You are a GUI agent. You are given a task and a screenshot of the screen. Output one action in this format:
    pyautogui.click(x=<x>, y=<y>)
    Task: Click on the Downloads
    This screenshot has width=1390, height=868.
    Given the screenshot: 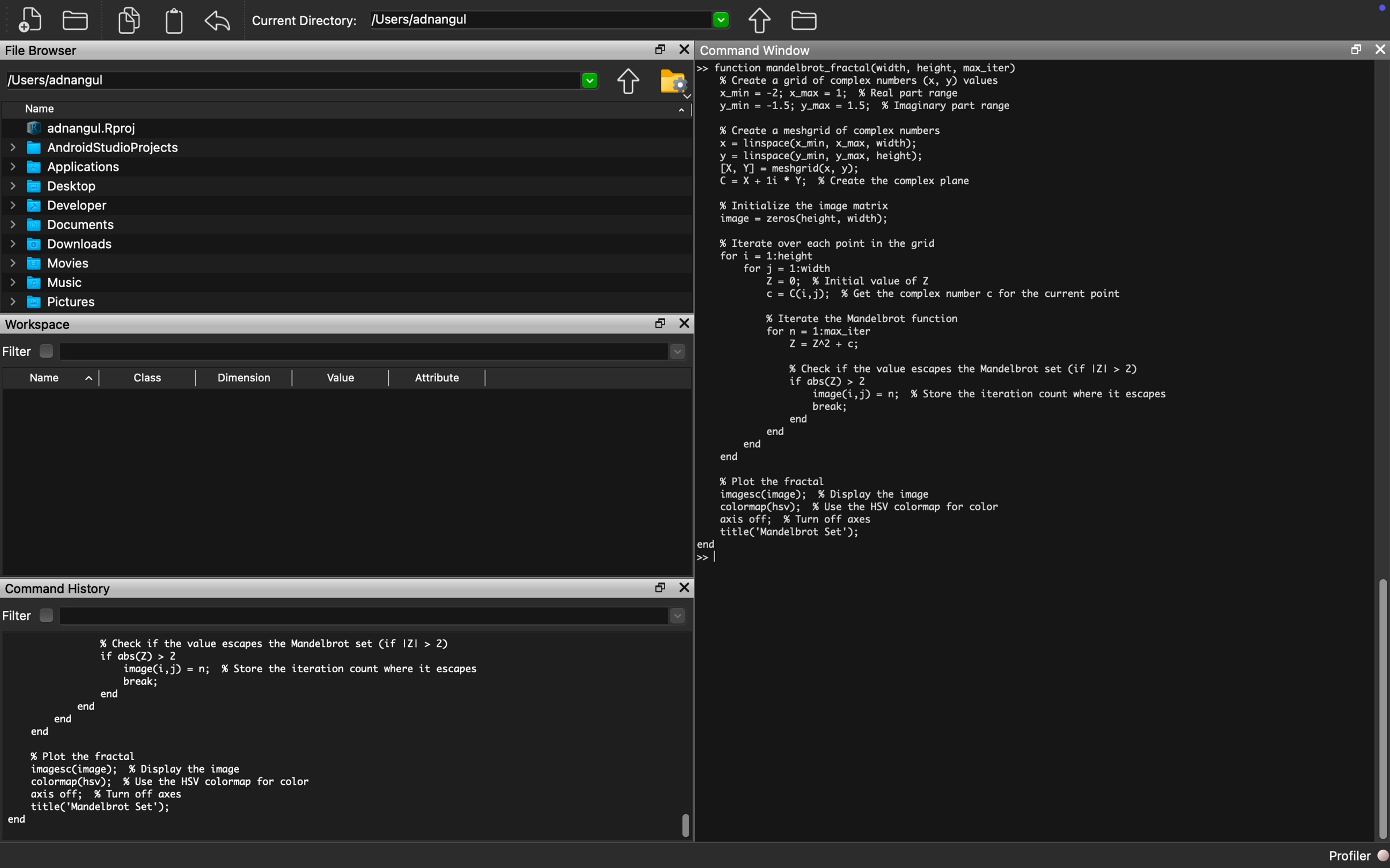 What is the action you would take?
    pyautogui.click(x=63, y=243)
    